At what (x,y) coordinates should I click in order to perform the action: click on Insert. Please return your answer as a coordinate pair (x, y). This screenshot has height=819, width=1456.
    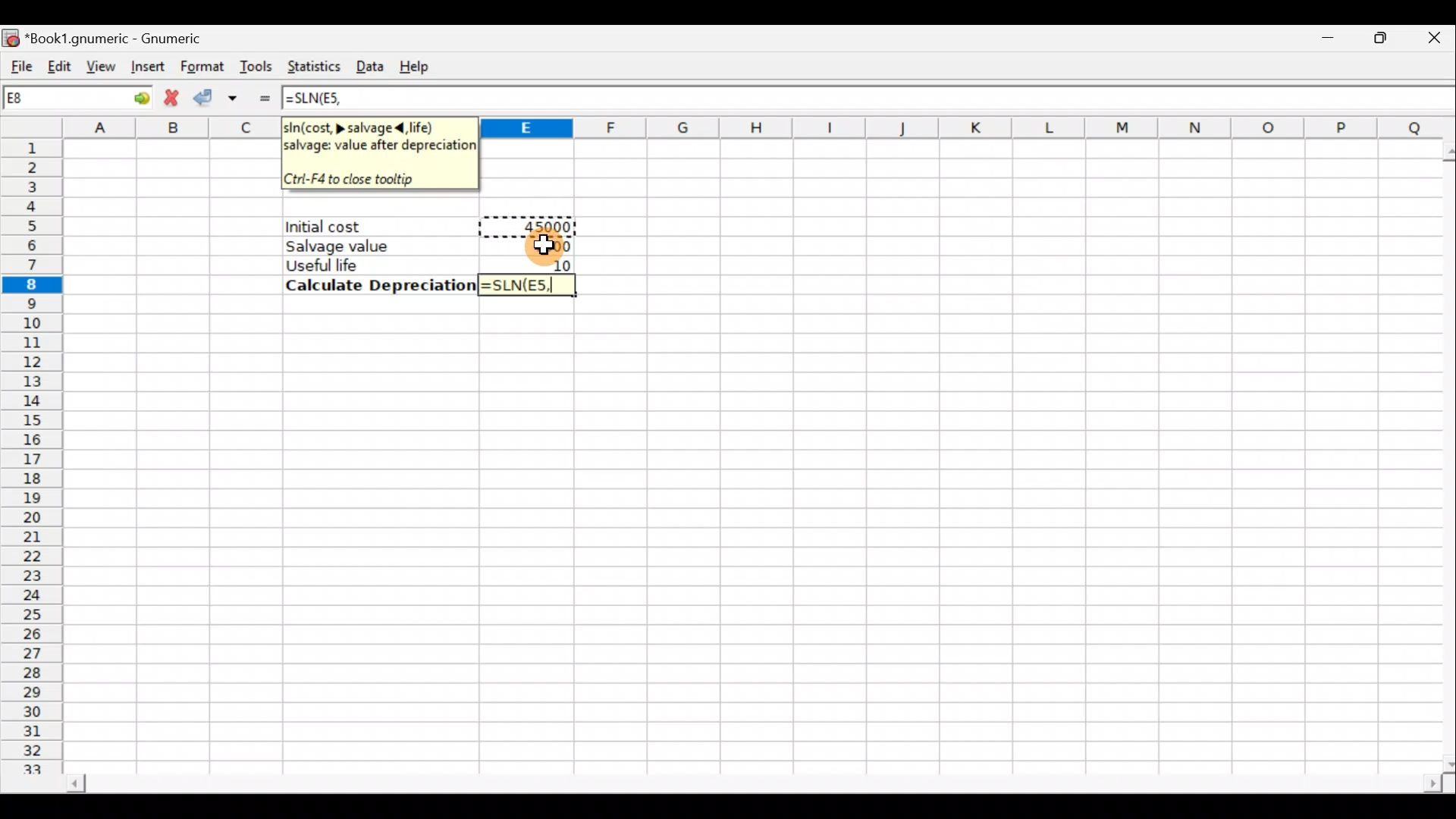
    Looking at the image, I should click on (146, 67).